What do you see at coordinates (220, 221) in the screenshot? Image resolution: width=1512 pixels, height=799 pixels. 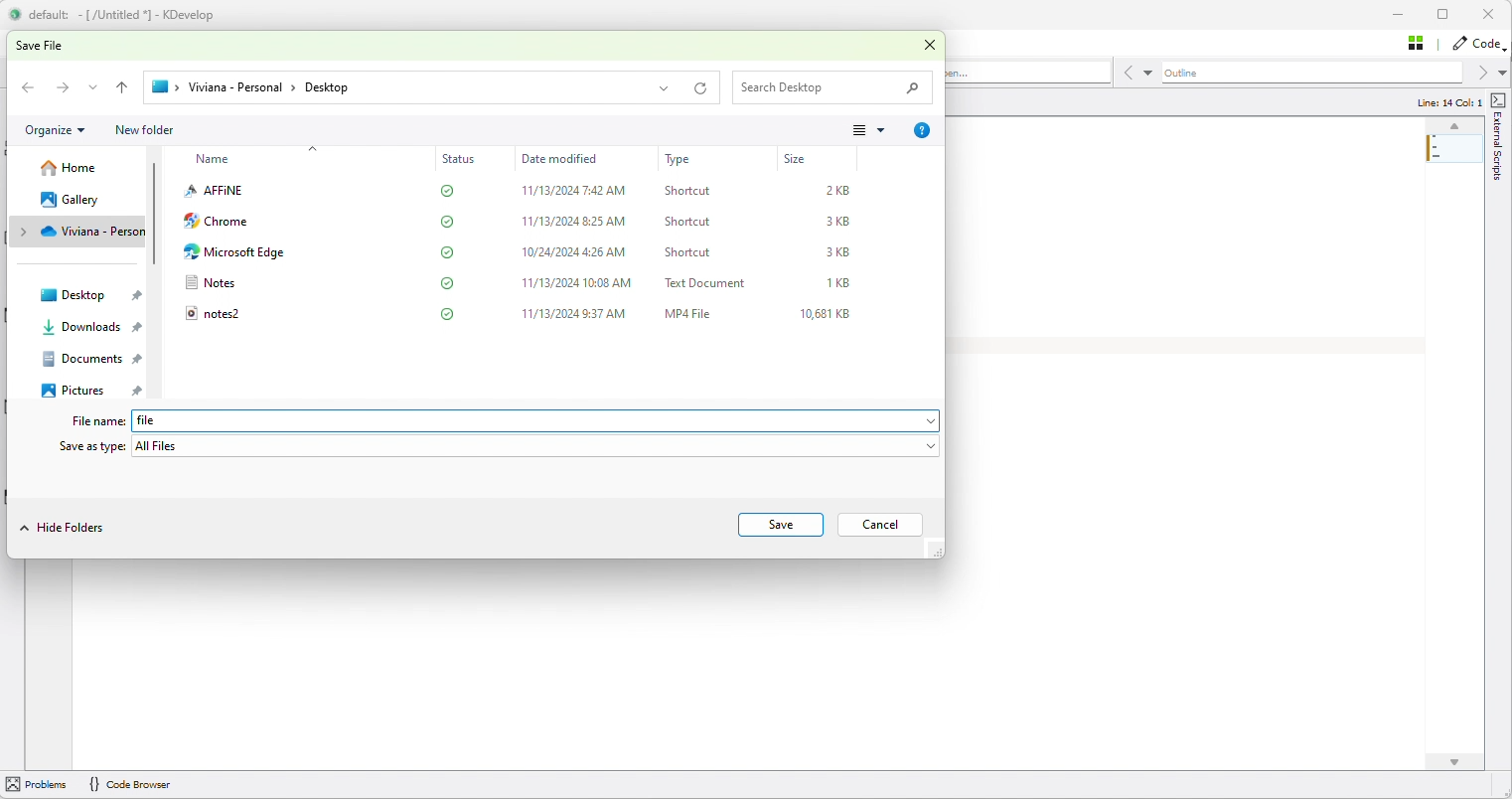 I see `Chrome` at bounding box center [220, 221].